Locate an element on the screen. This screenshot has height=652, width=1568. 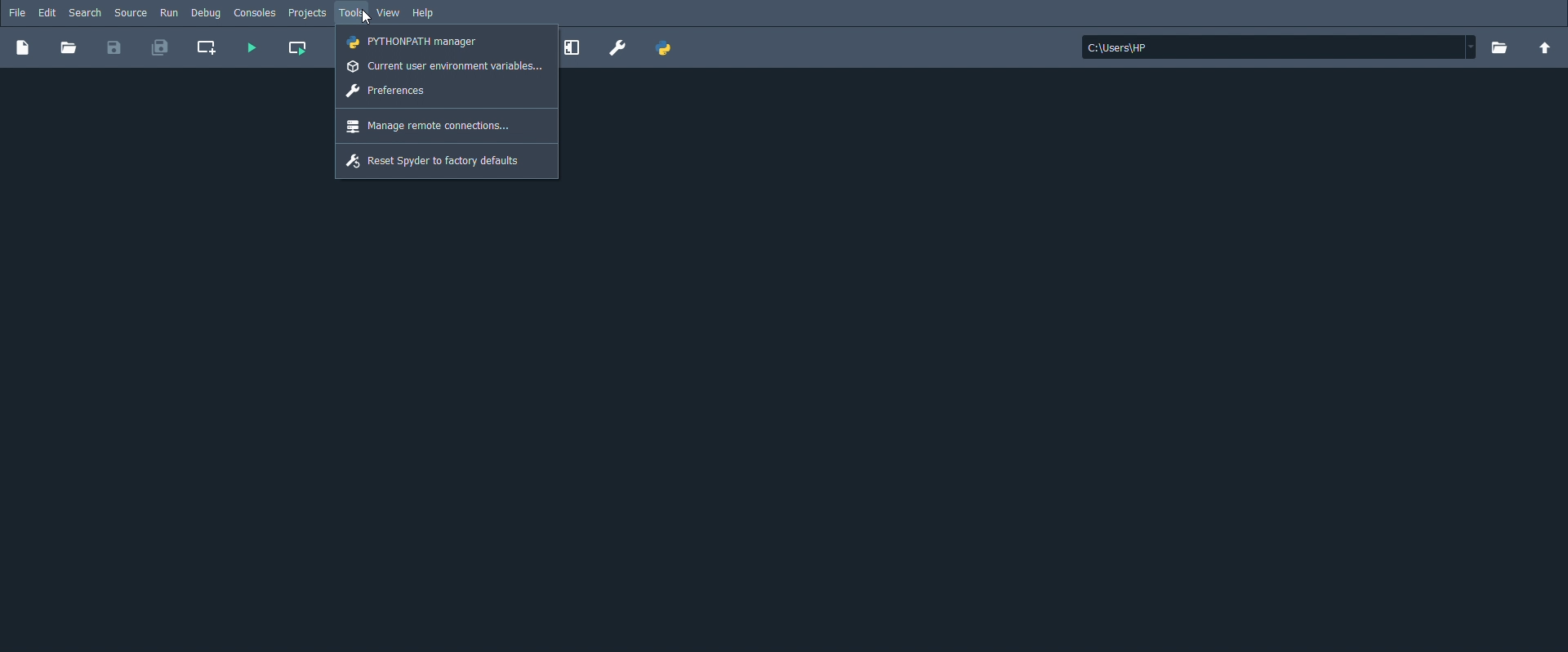
Consoles is located at coordinates (256, 14).